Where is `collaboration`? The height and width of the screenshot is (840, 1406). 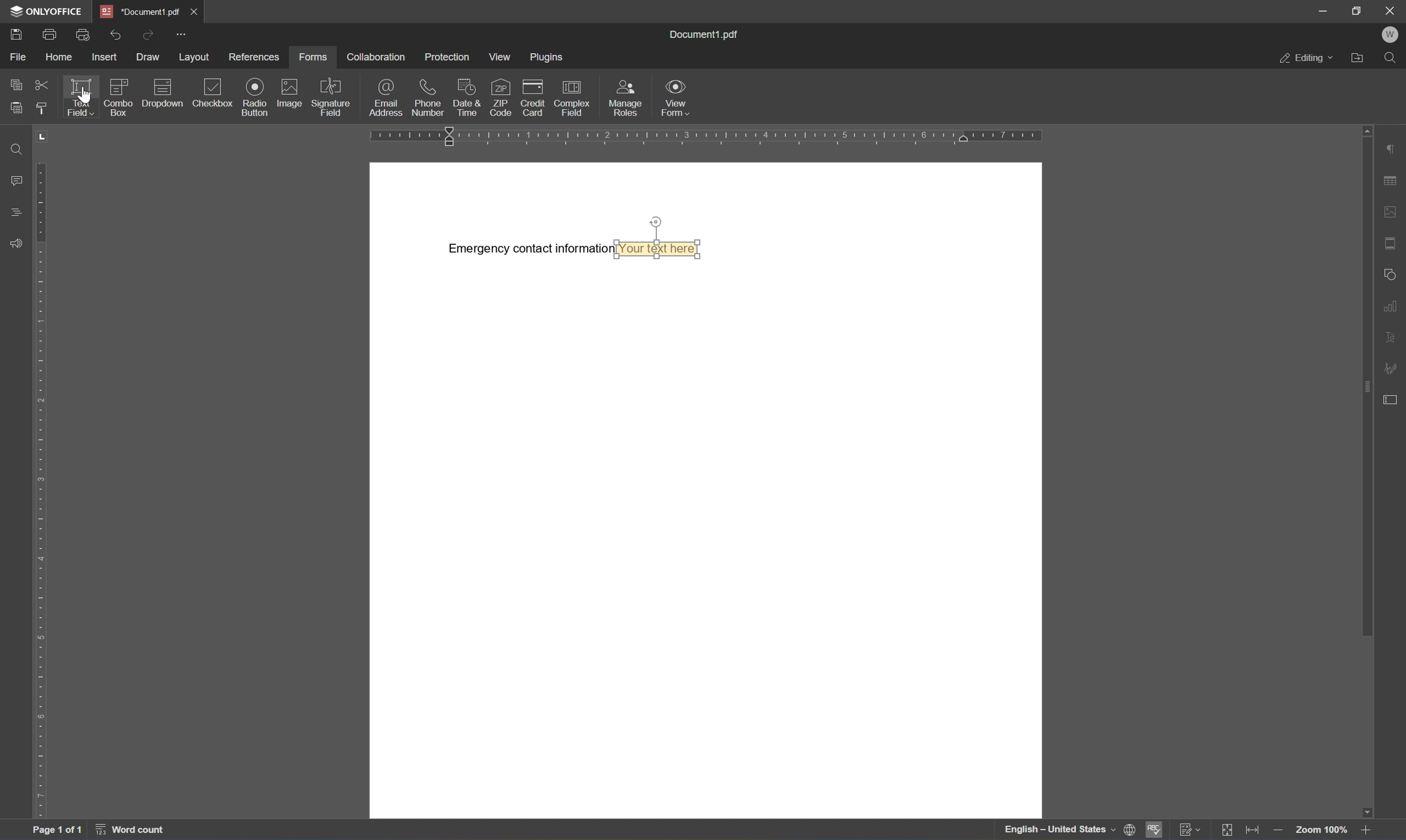
collaboration is located at coordinates (379, 56).